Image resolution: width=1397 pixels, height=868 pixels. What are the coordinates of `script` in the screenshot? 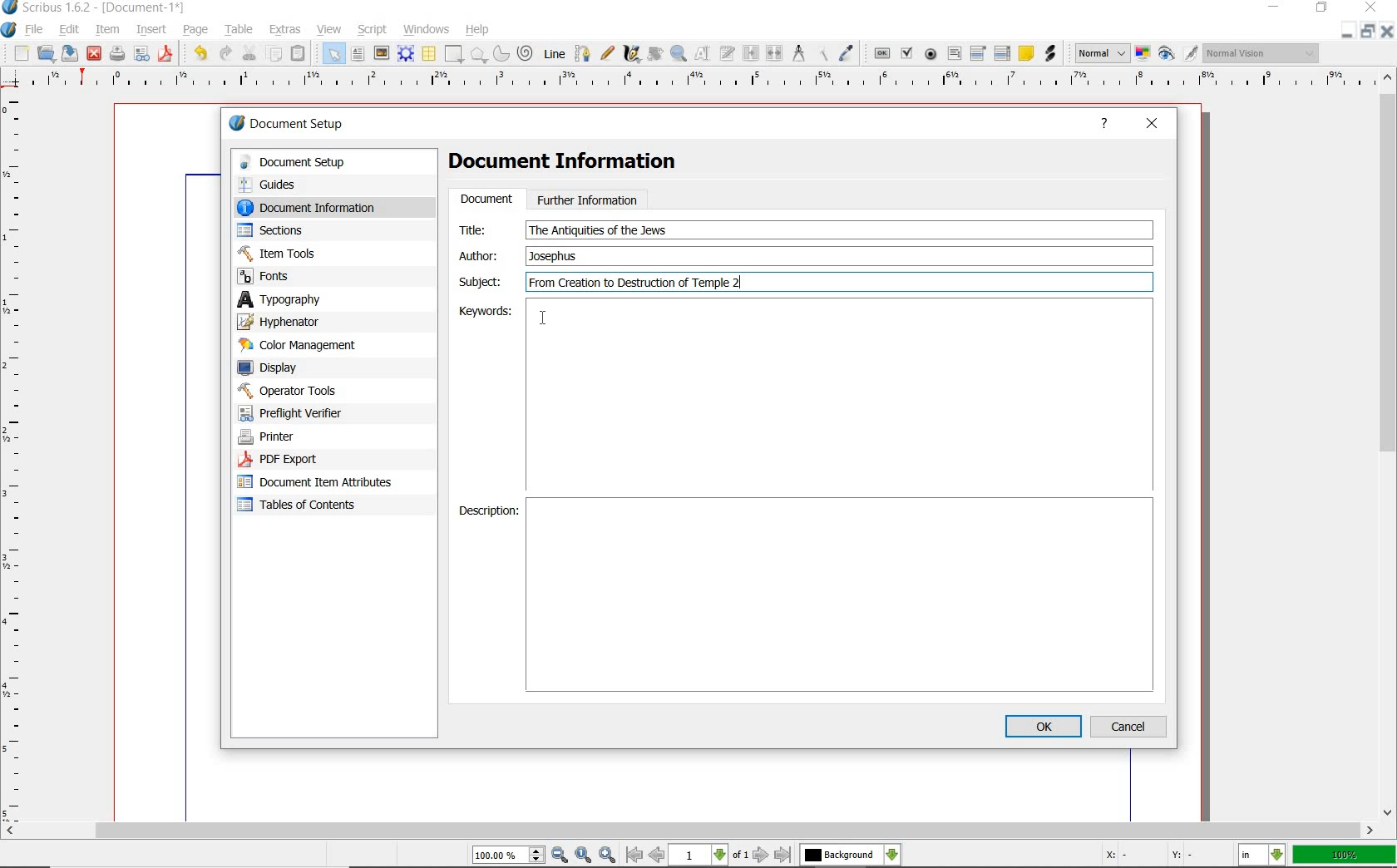 It's located at (373, 30).